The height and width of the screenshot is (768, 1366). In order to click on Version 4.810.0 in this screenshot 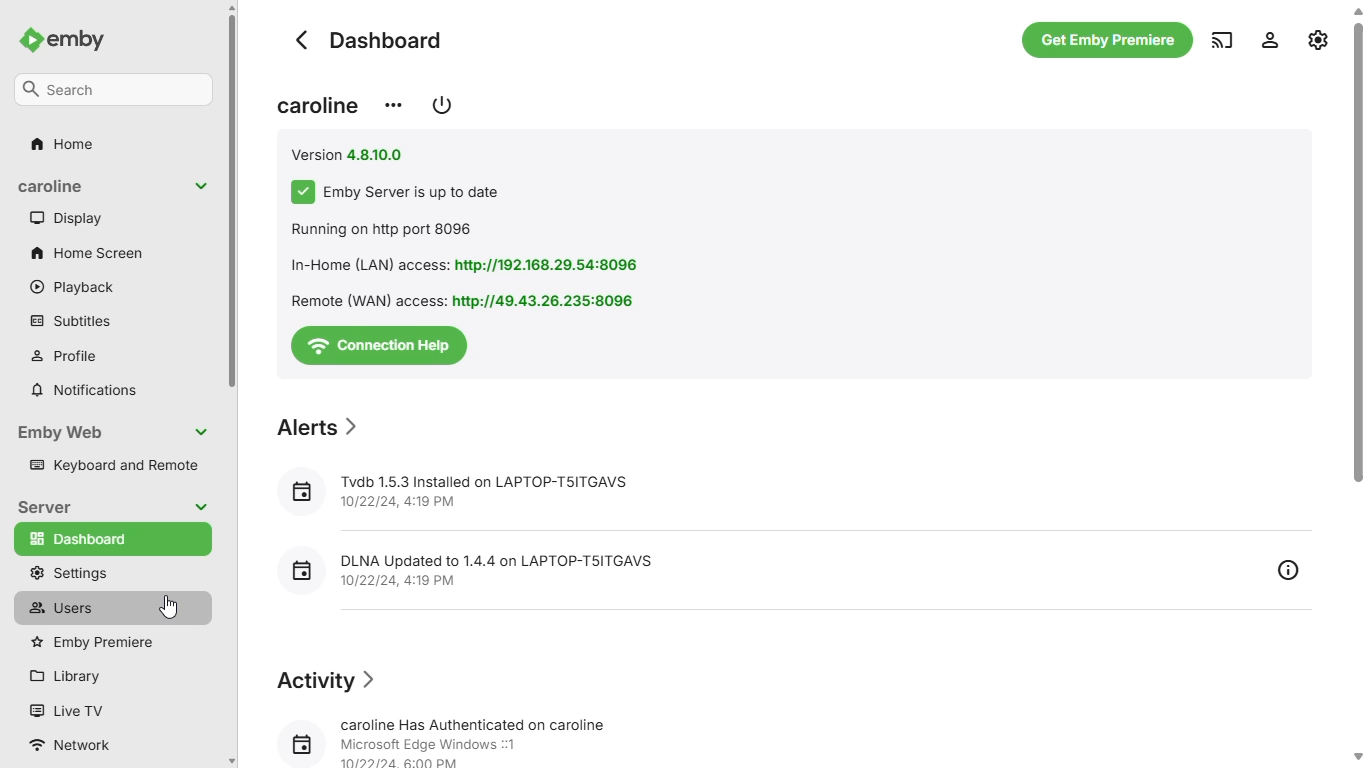, I will do `click(356, 155)`.